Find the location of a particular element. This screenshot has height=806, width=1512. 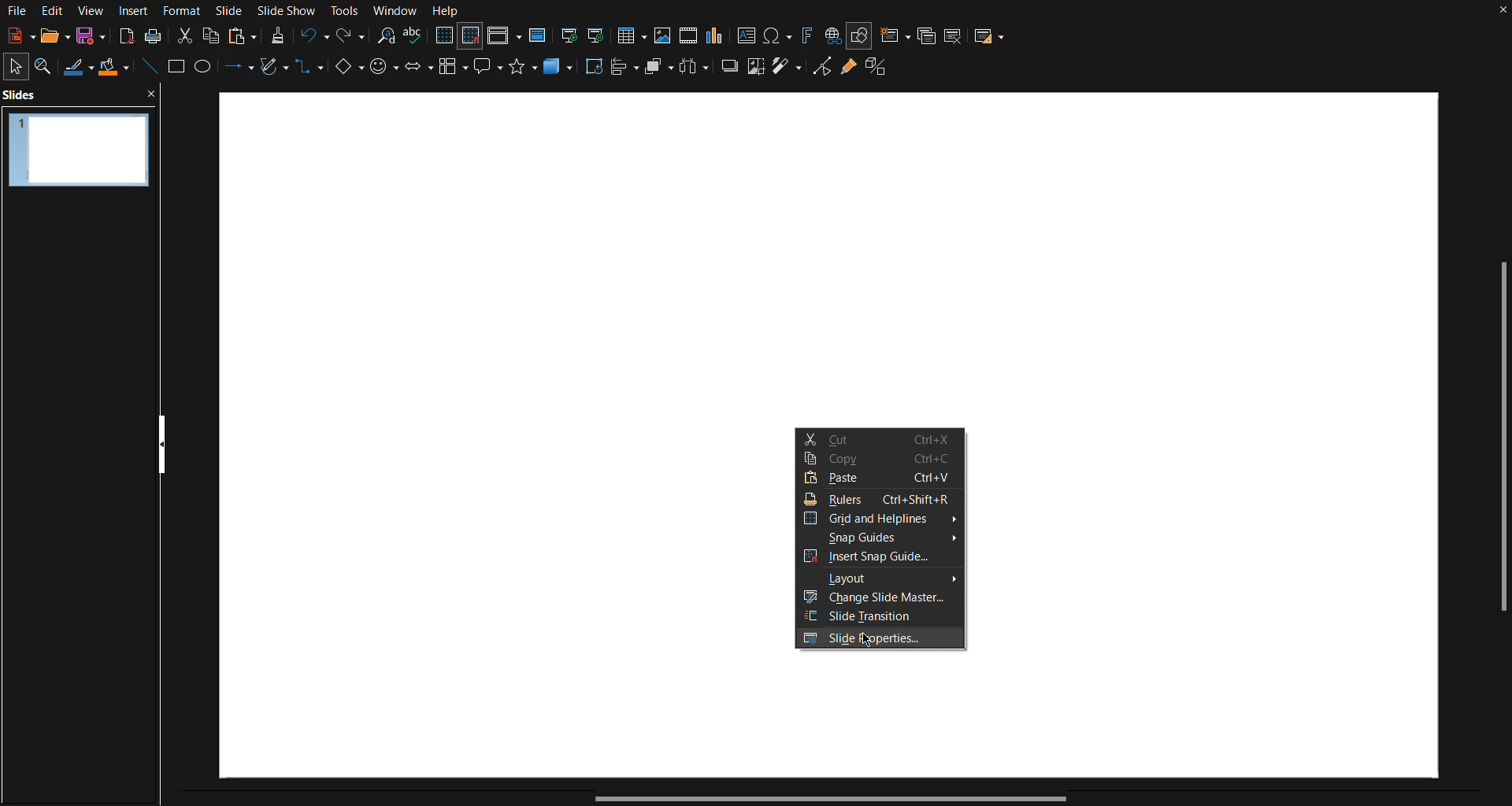

Insert is located at coordinates (135, 10).